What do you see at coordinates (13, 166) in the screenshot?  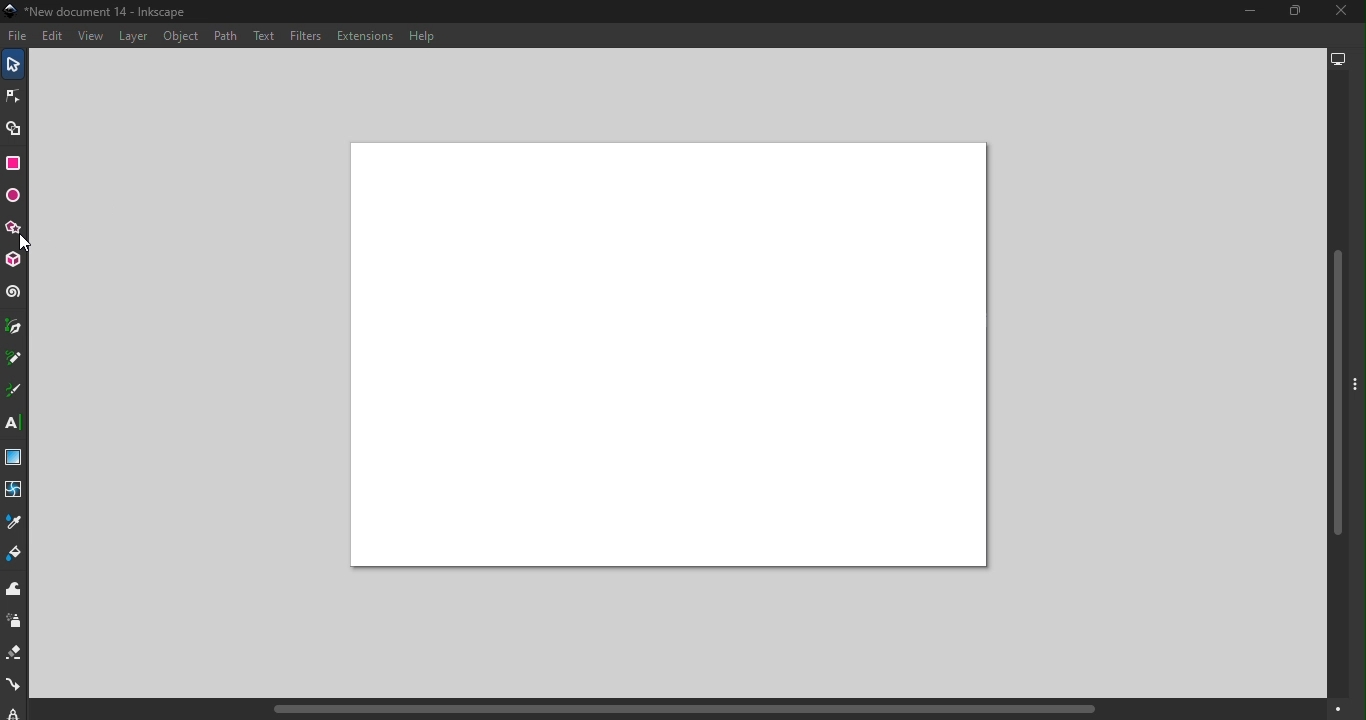 I see `Rectangle tool` at bounding box center [13, 166].